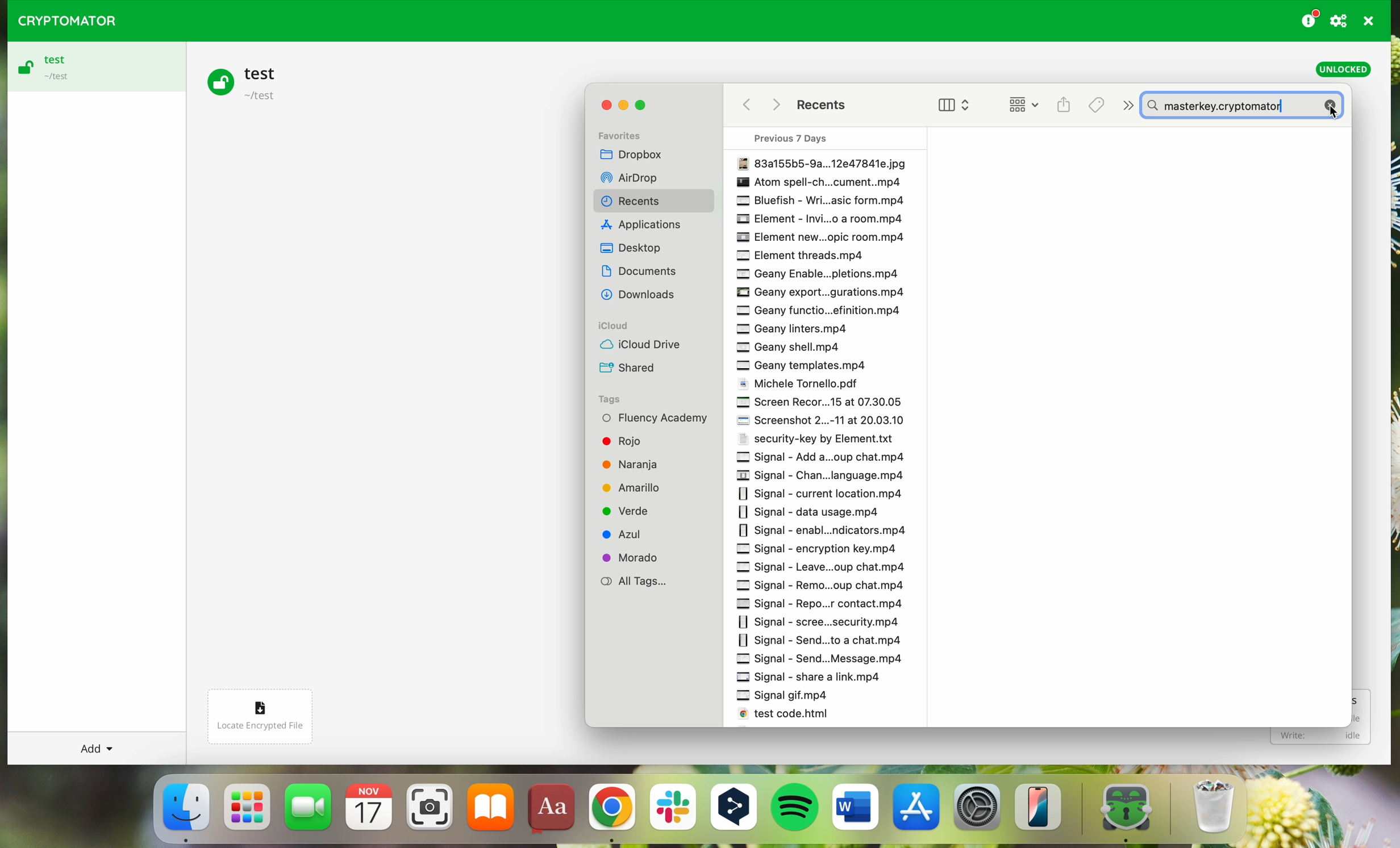 This screenshot has height=848, width=1400. What do you see at coordinates (815, 273) in the screenshot?
I see `Geany enable` at bounding box center [815, 273].